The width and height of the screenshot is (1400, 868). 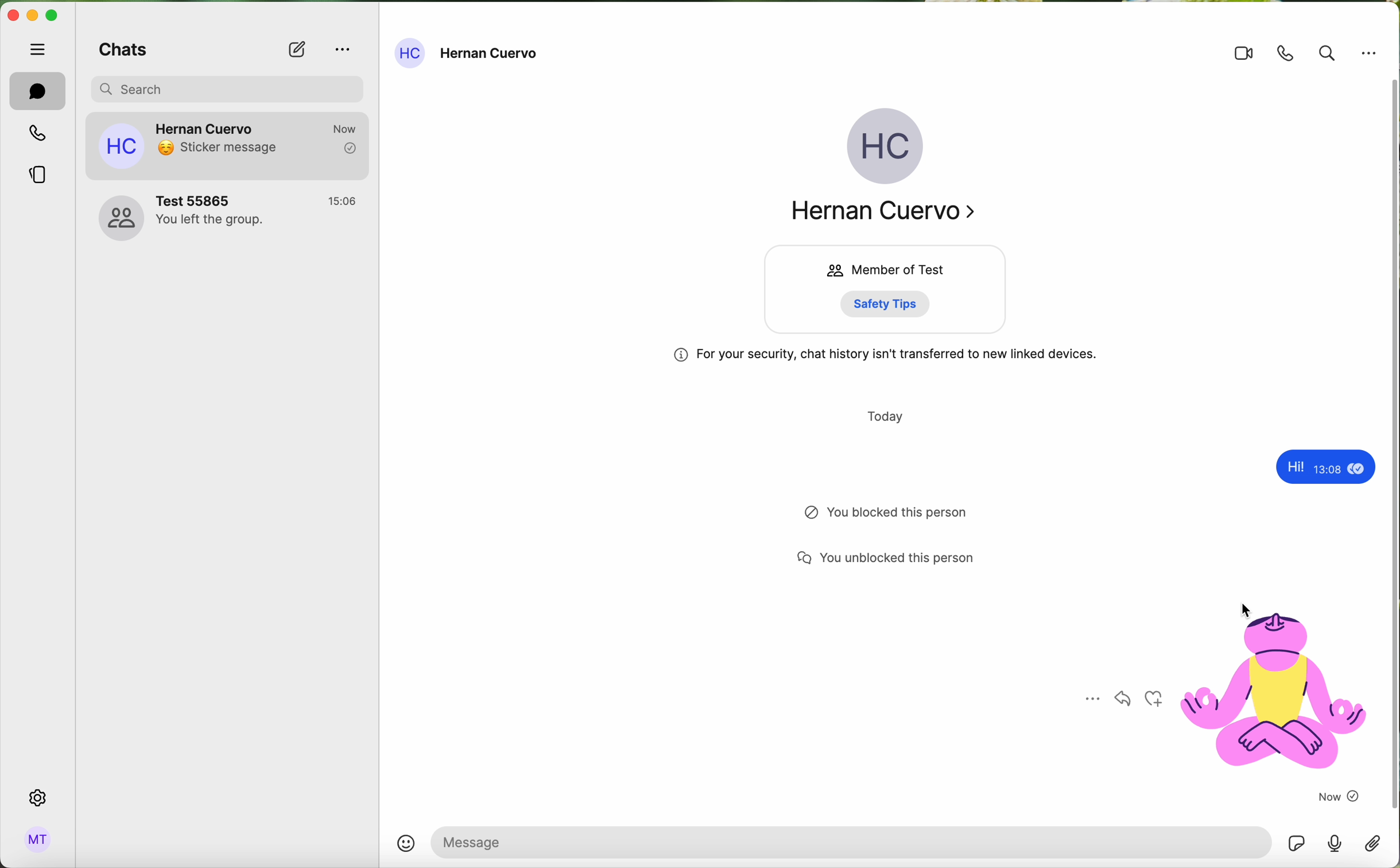 I want to click on search, so click(x=1327, y=53).